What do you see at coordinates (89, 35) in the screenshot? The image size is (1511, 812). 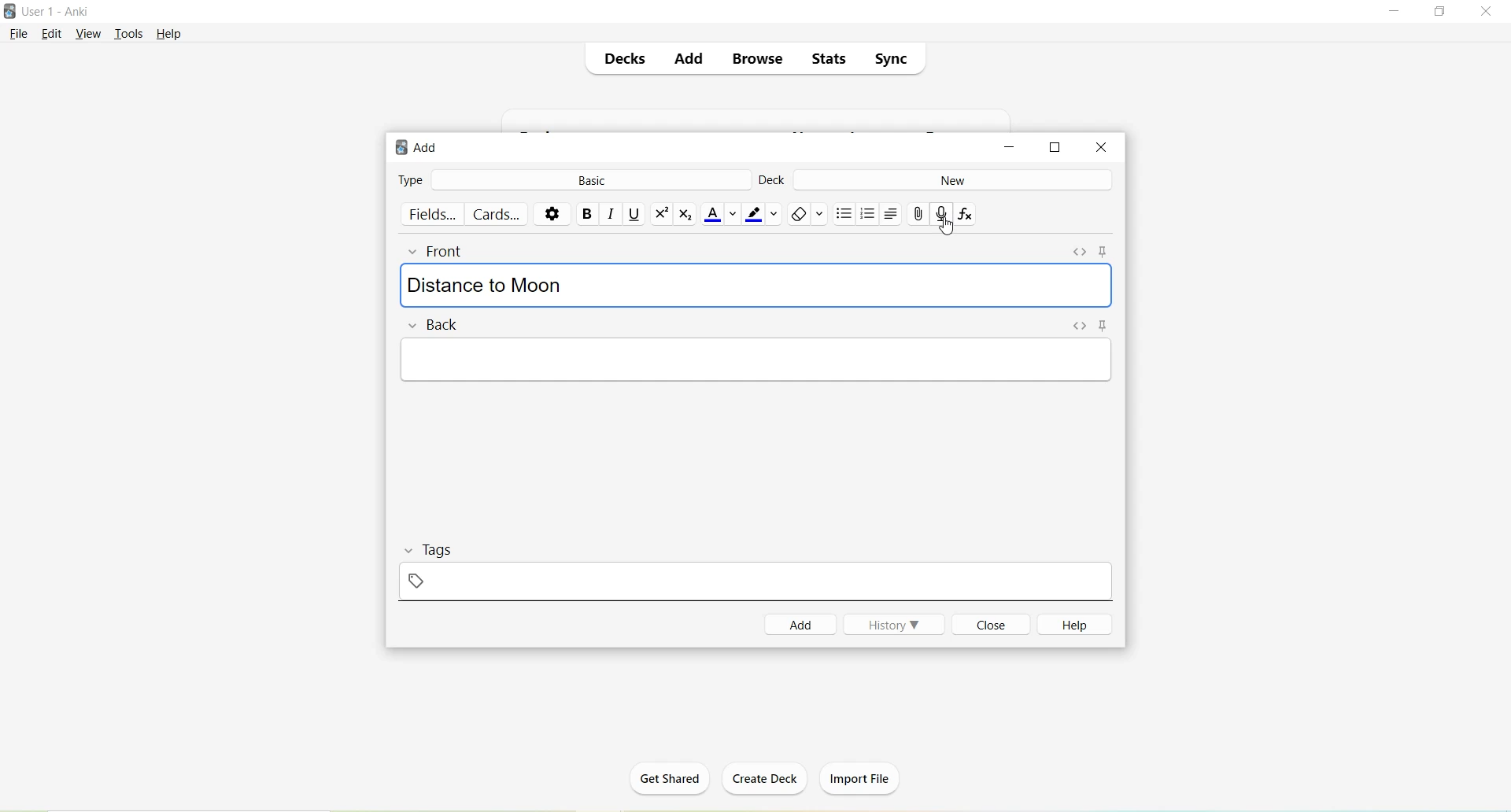 I see `View` at bounding box center [89, 35].